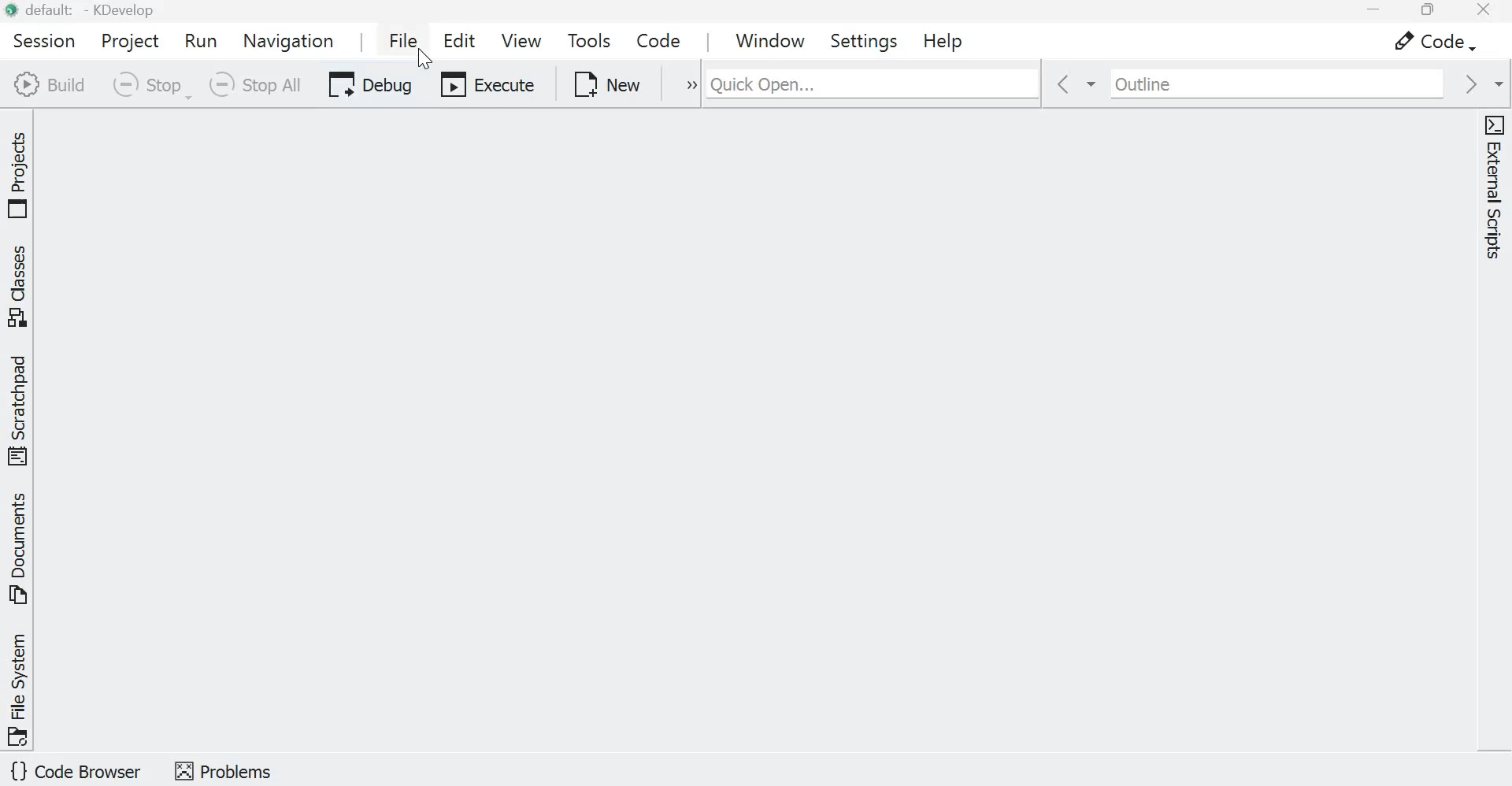  What do you see at coordinates (1426, 42) in the screenshot?
I see `Code` at bounding box center [1426, 42].